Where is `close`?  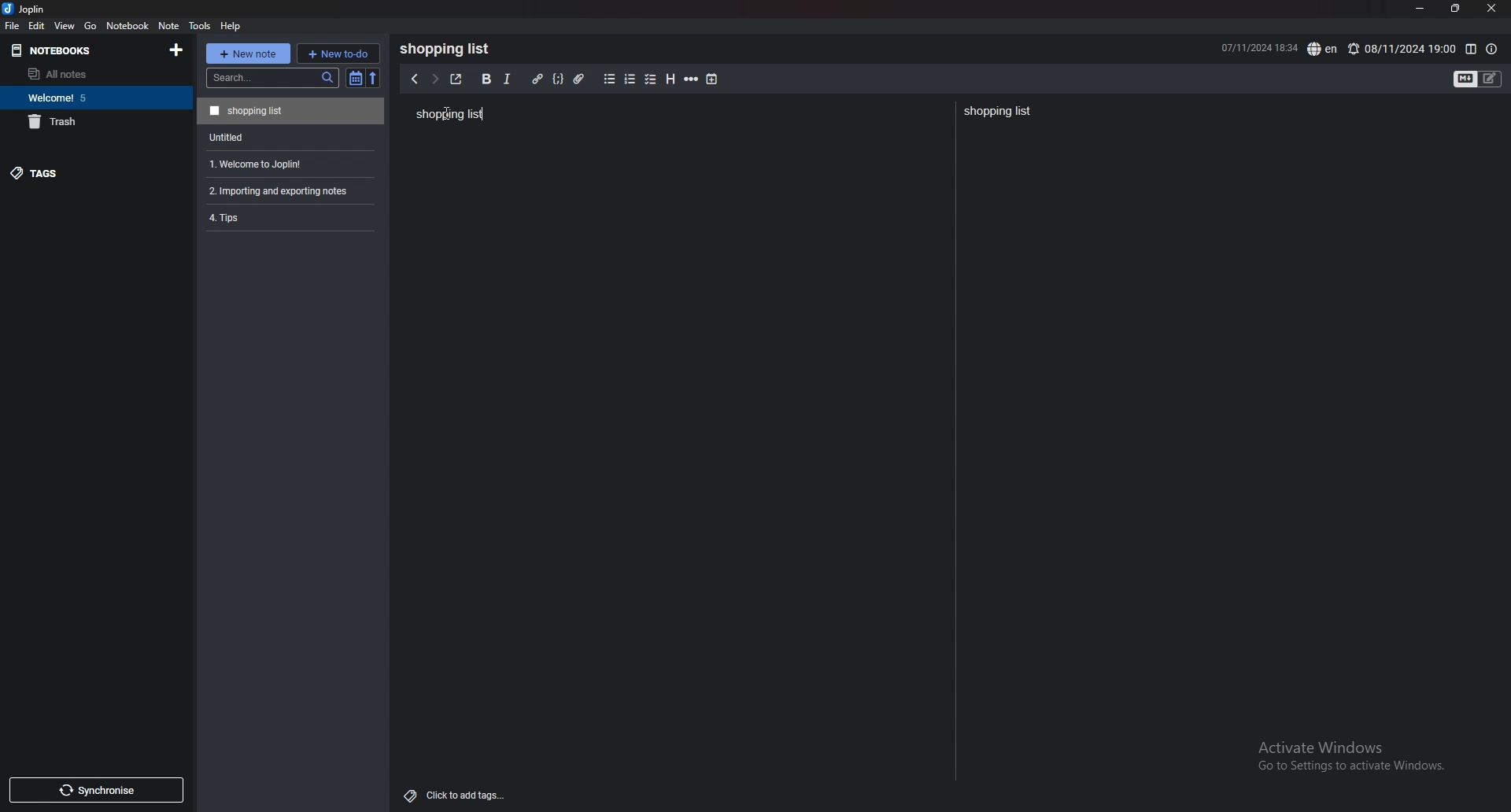 close is located at coordinates (1491, 9).